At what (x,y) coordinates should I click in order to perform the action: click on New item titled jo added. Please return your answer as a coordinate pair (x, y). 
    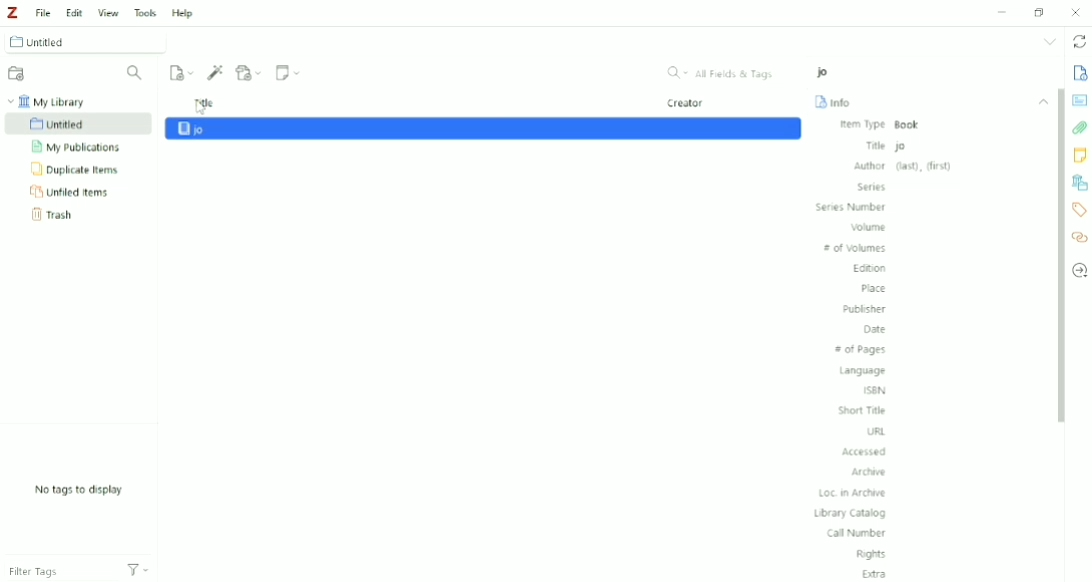
    Looking at the image, I should click on (483, 128).